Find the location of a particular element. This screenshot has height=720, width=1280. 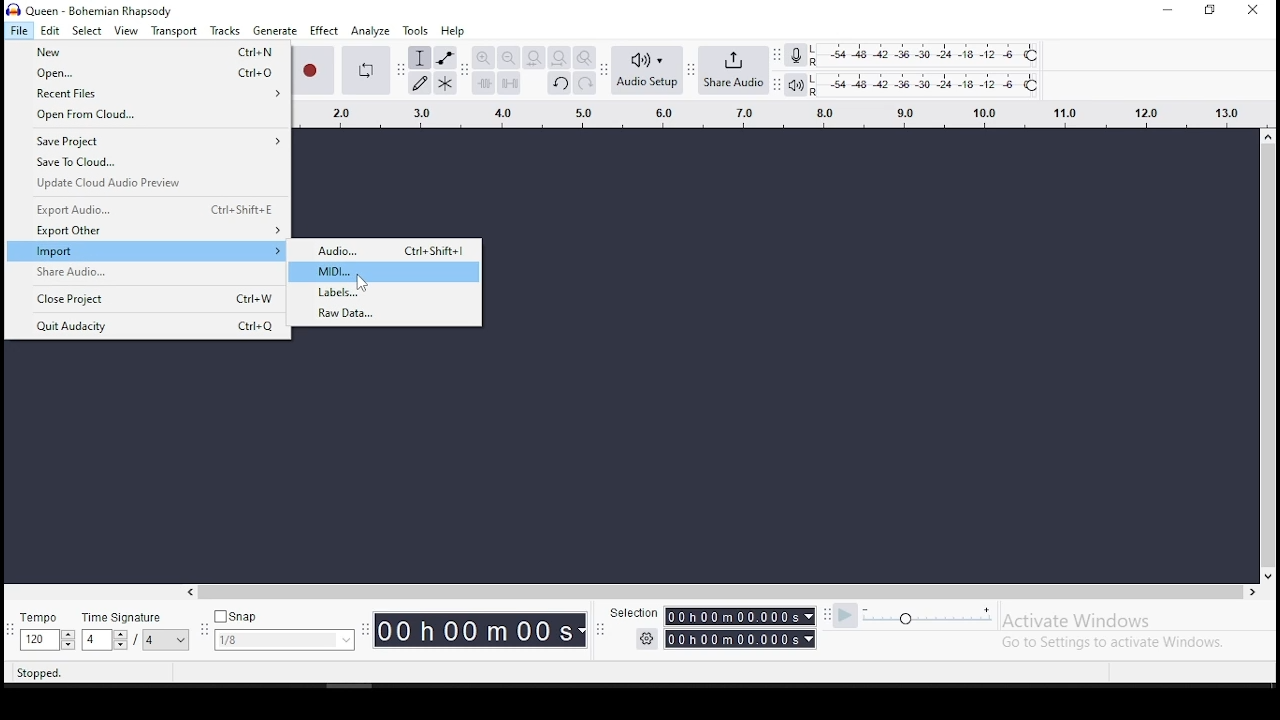

recording level is located at coordinates (796, 54).